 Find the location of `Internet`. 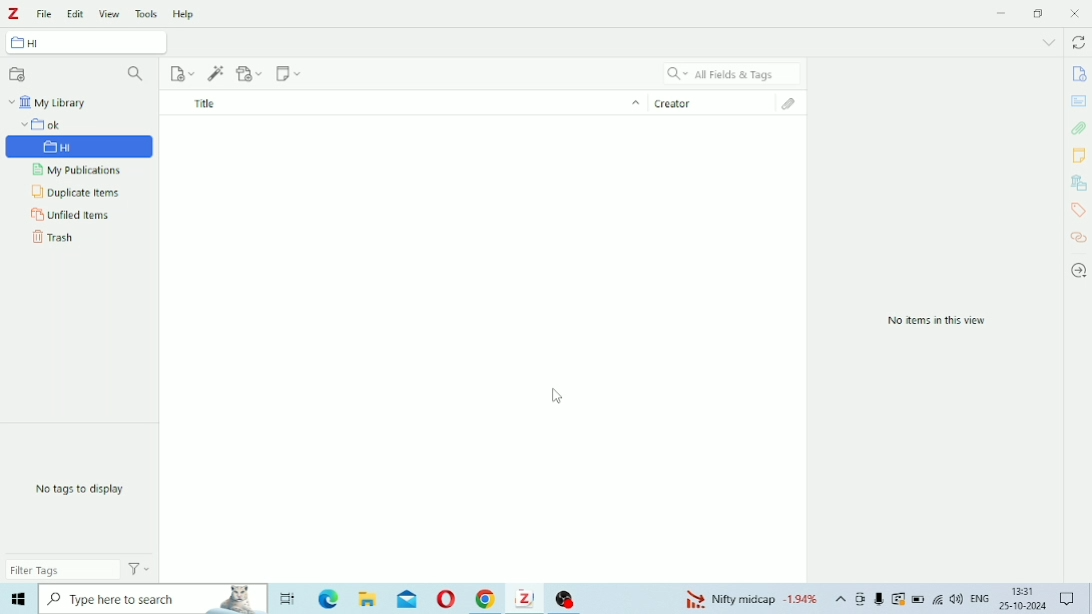

Internet is located at coordinates (938, 599).